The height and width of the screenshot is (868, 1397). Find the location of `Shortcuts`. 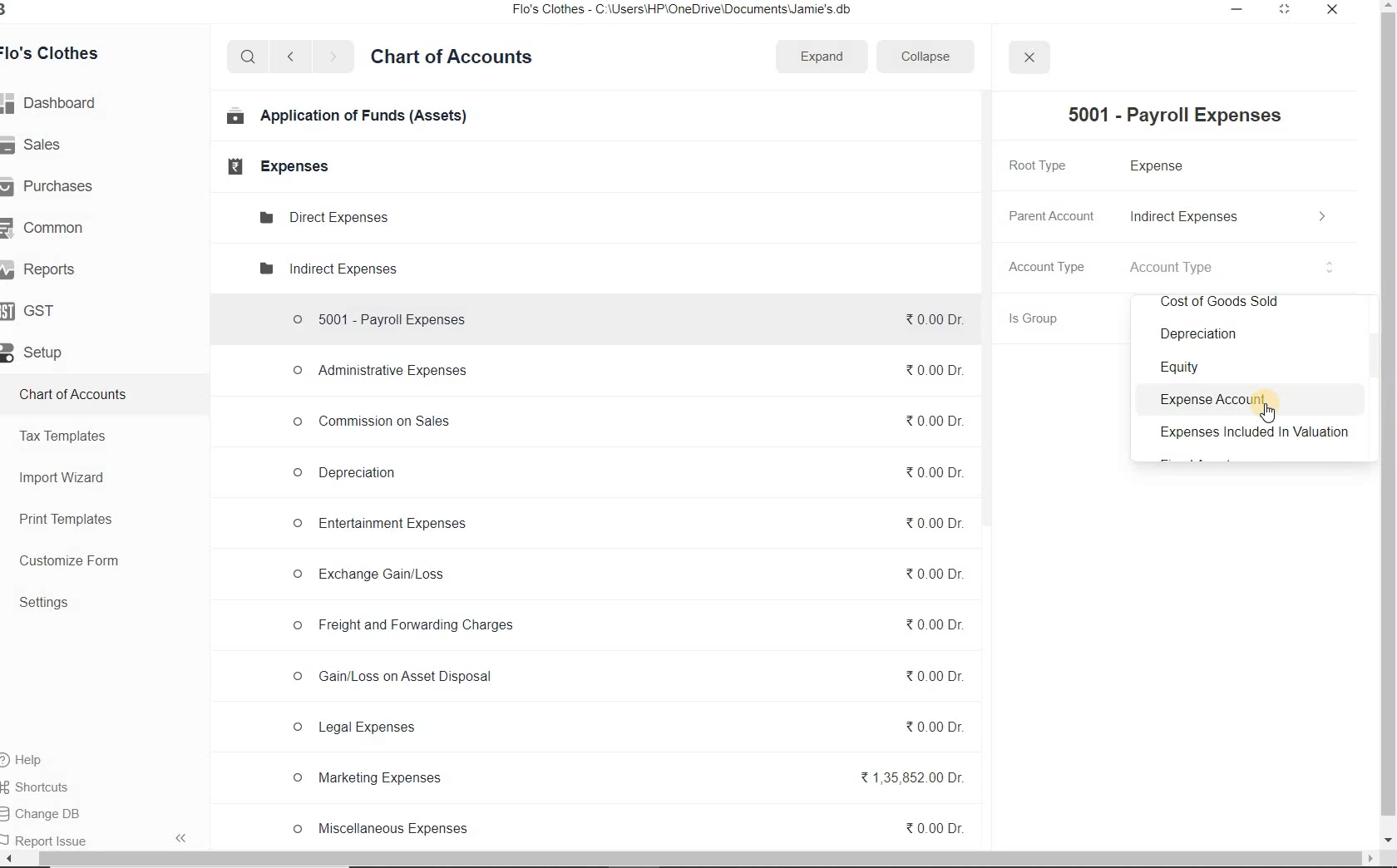

Shortcuts is located at coordinates (57, 785).